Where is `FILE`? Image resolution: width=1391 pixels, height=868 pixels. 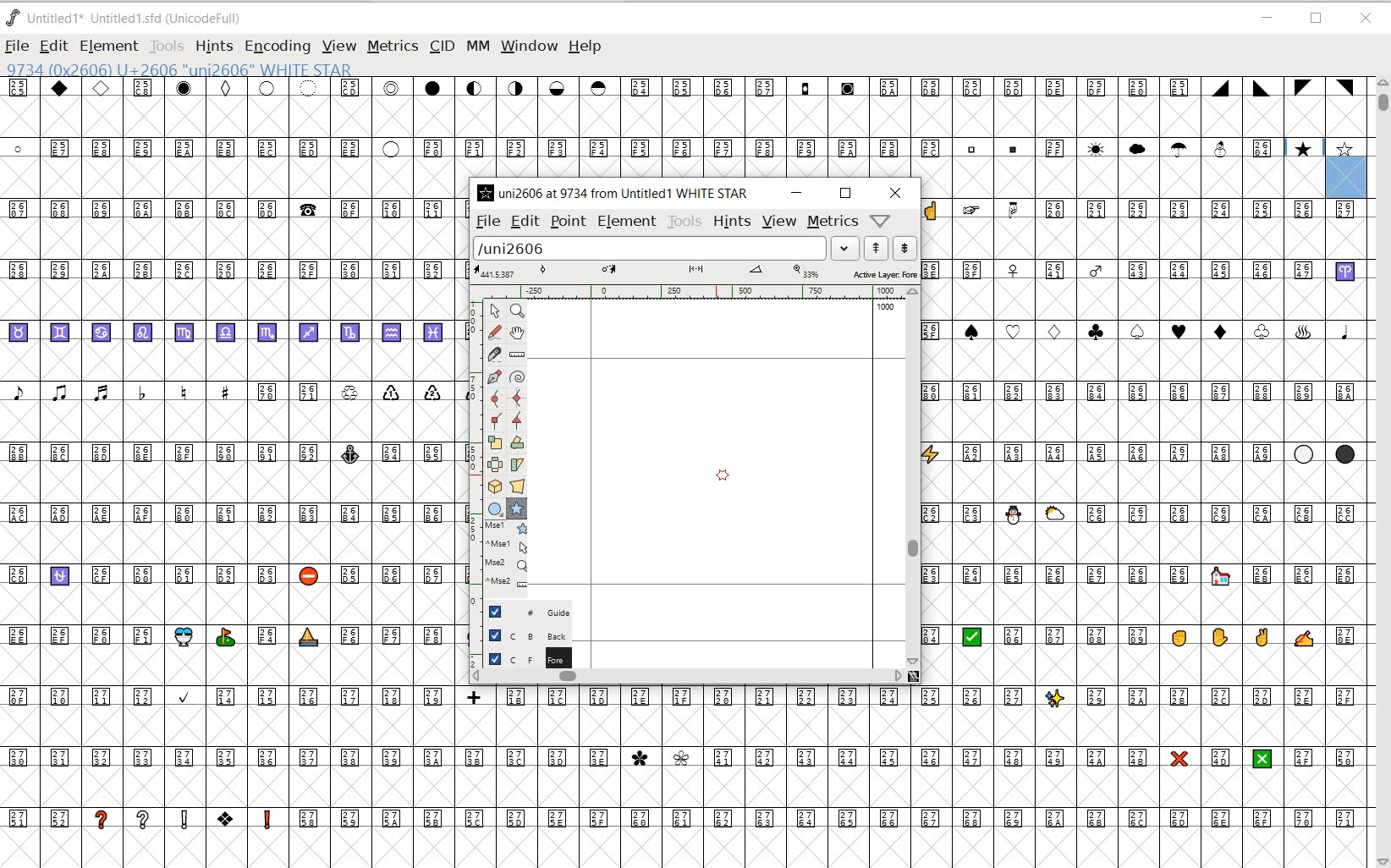
FILE is located at coordinates (16, 47).